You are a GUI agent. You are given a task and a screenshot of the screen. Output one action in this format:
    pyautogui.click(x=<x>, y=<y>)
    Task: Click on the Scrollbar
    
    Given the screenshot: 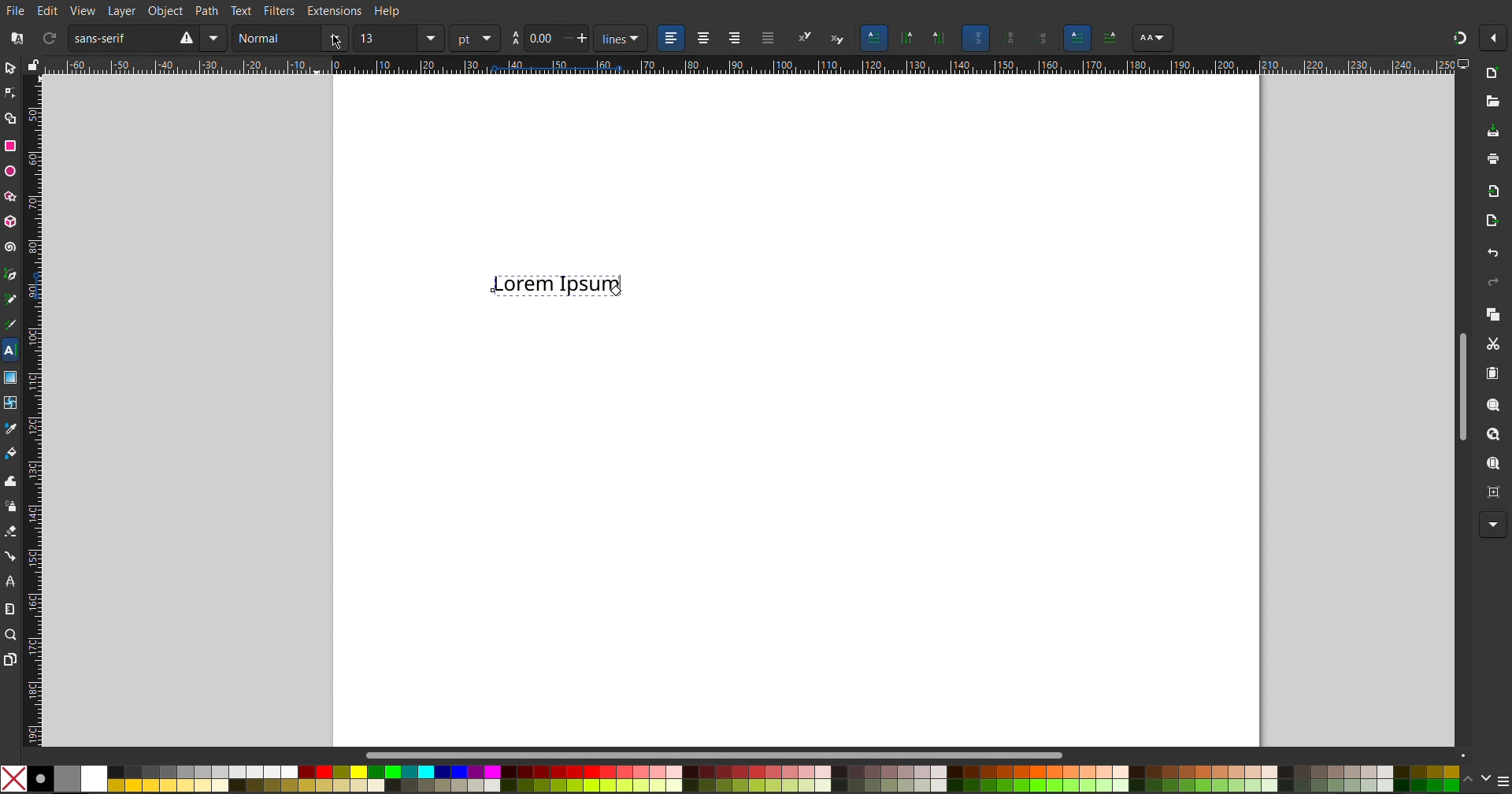 What is the action you would take?
    pyautogui.click(x=724, y=755)
    